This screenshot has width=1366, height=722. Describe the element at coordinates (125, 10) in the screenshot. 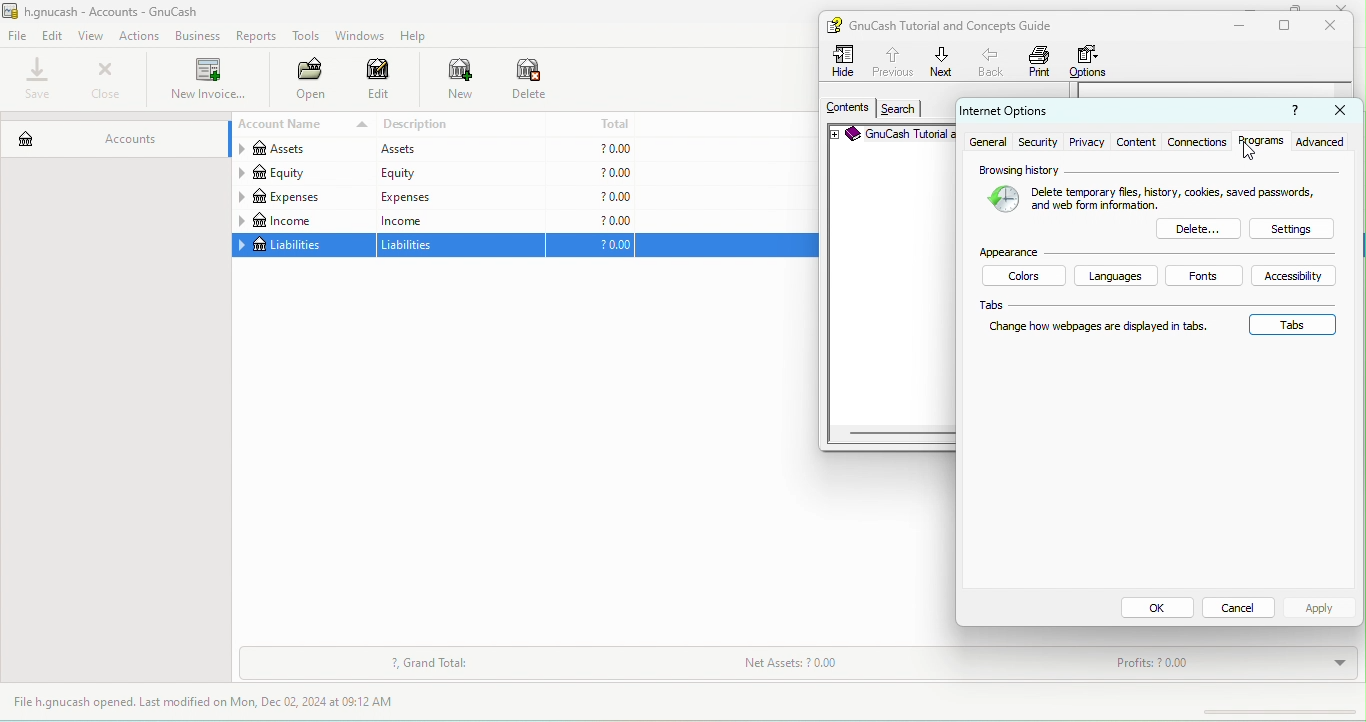

I see `h. gnucash-accounts-gnu cash` at that location.